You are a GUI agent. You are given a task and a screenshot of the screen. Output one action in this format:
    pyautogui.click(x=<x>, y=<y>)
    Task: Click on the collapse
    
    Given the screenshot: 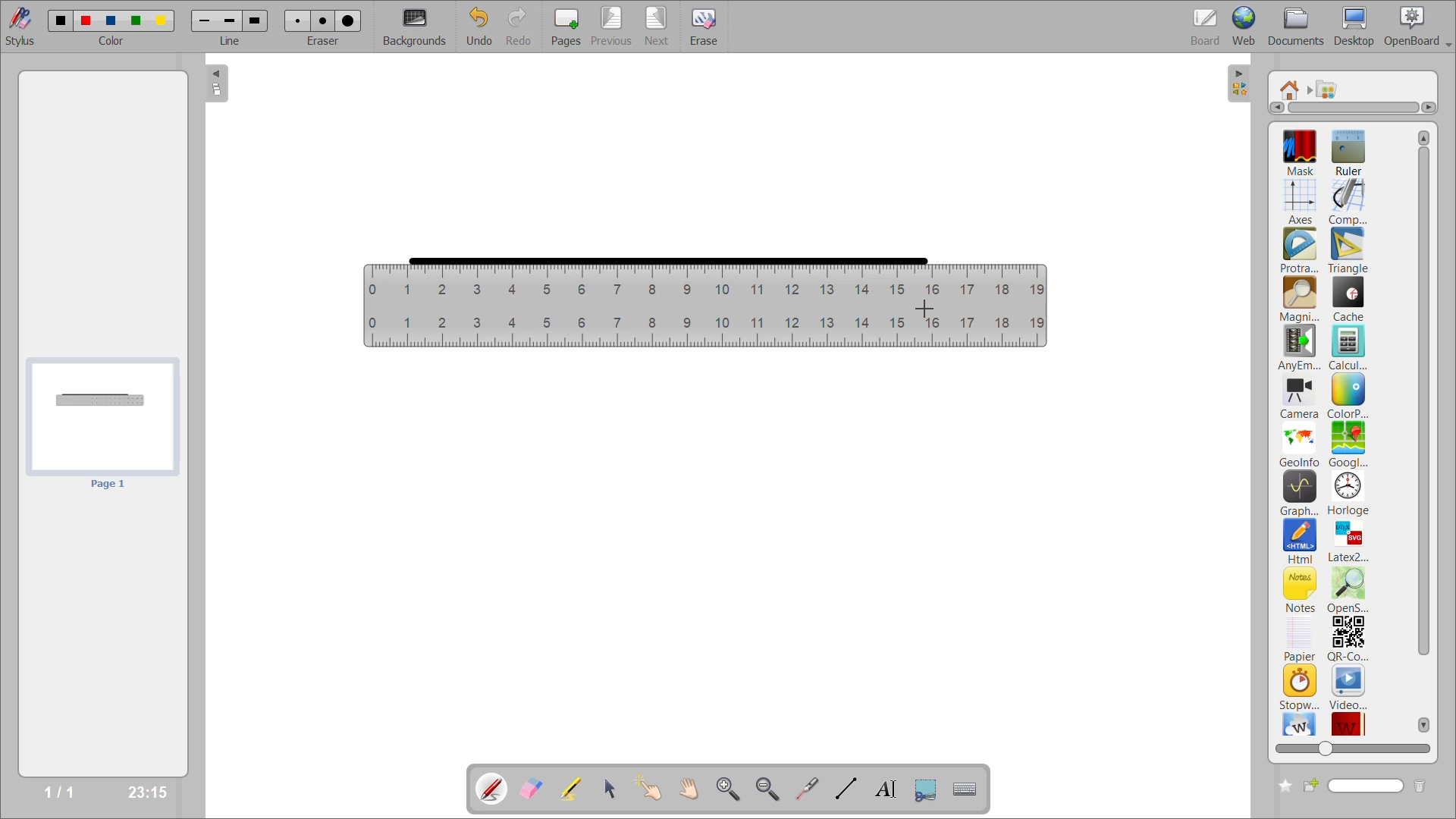 What is the action you would take?
    pyautogui.click(x=1241, y=84)
    